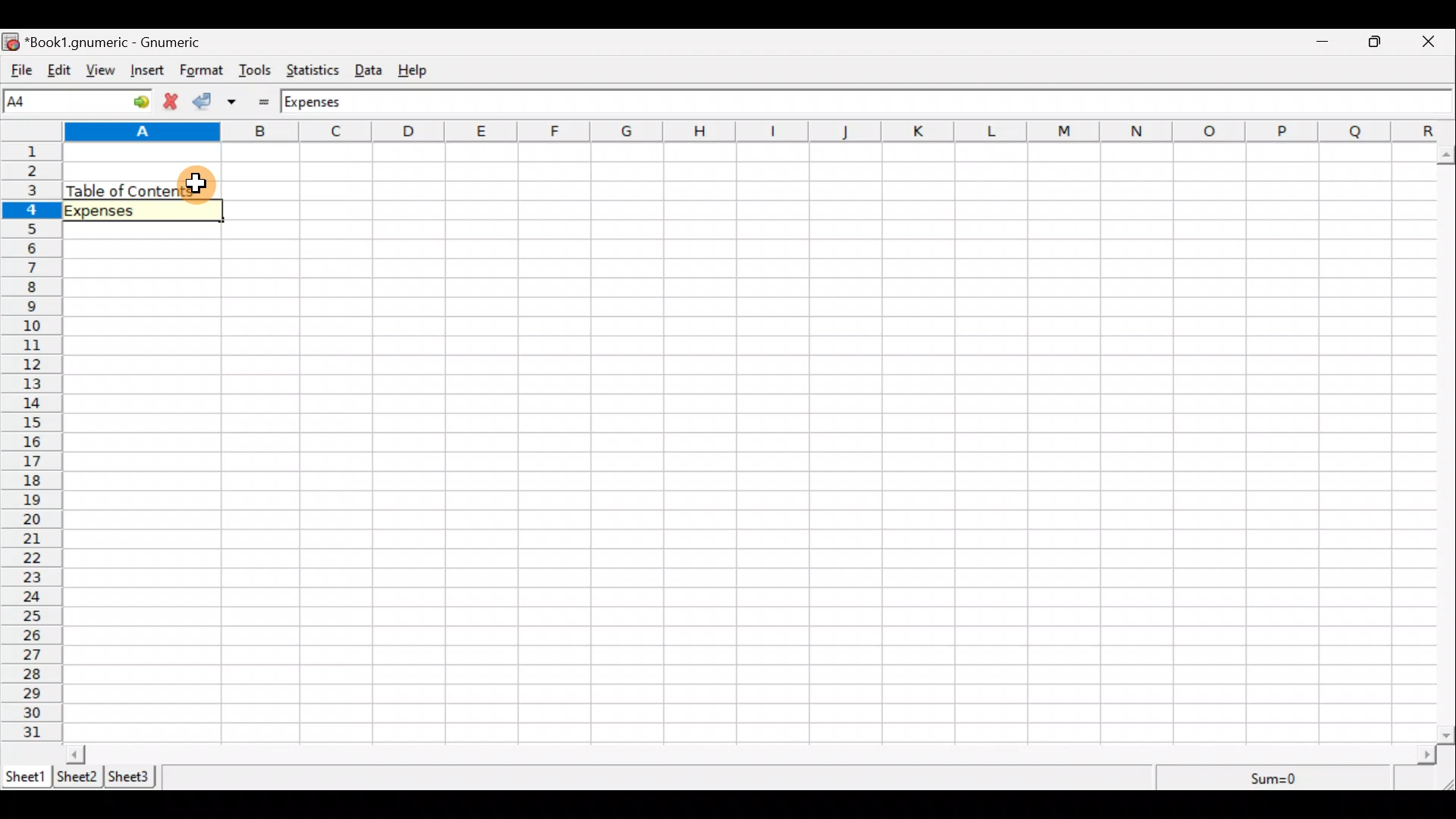 This screenshot has height=819, width=1456. I want to click on Format, so click(202, 71).